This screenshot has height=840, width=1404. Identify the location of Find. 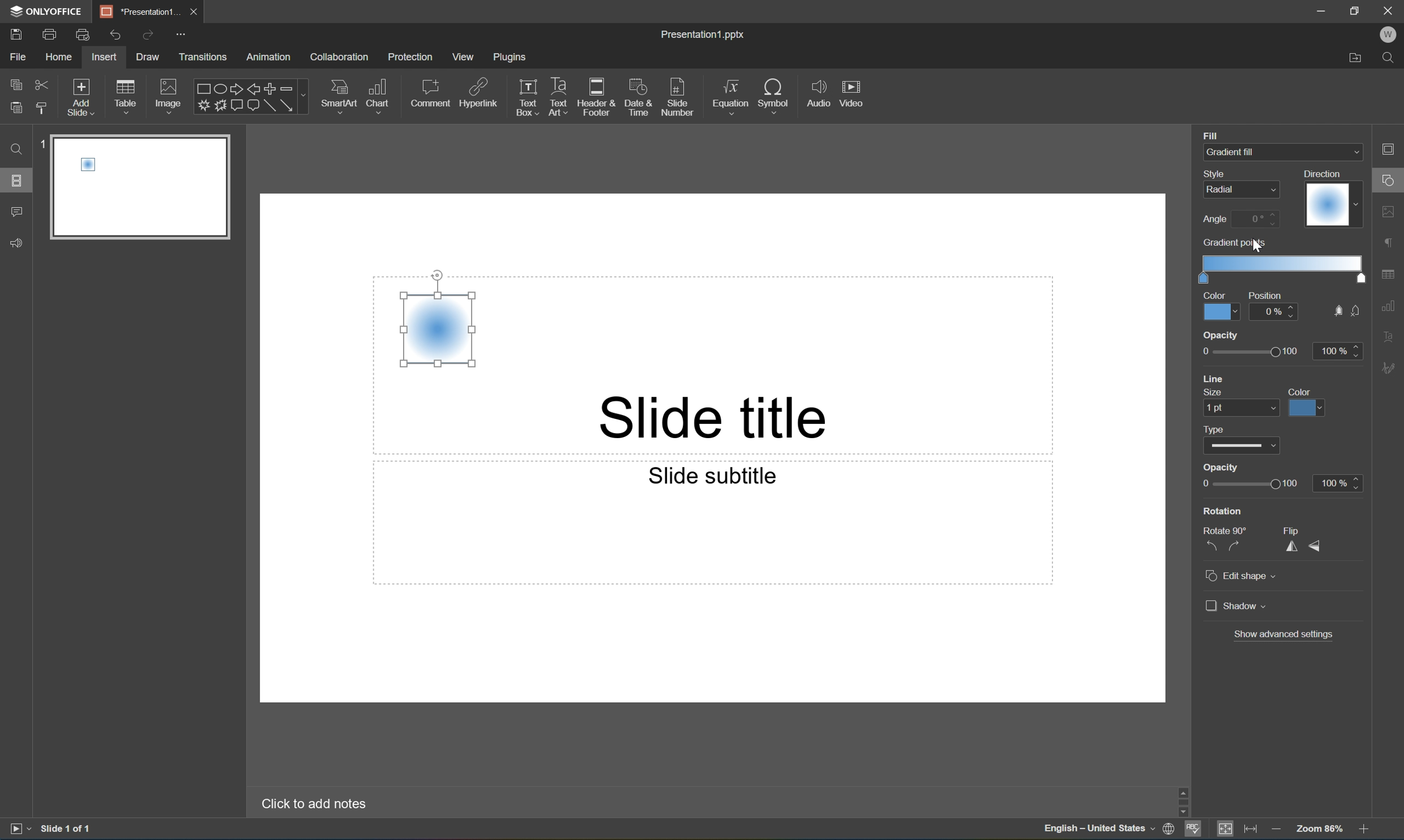
(1391, 59).